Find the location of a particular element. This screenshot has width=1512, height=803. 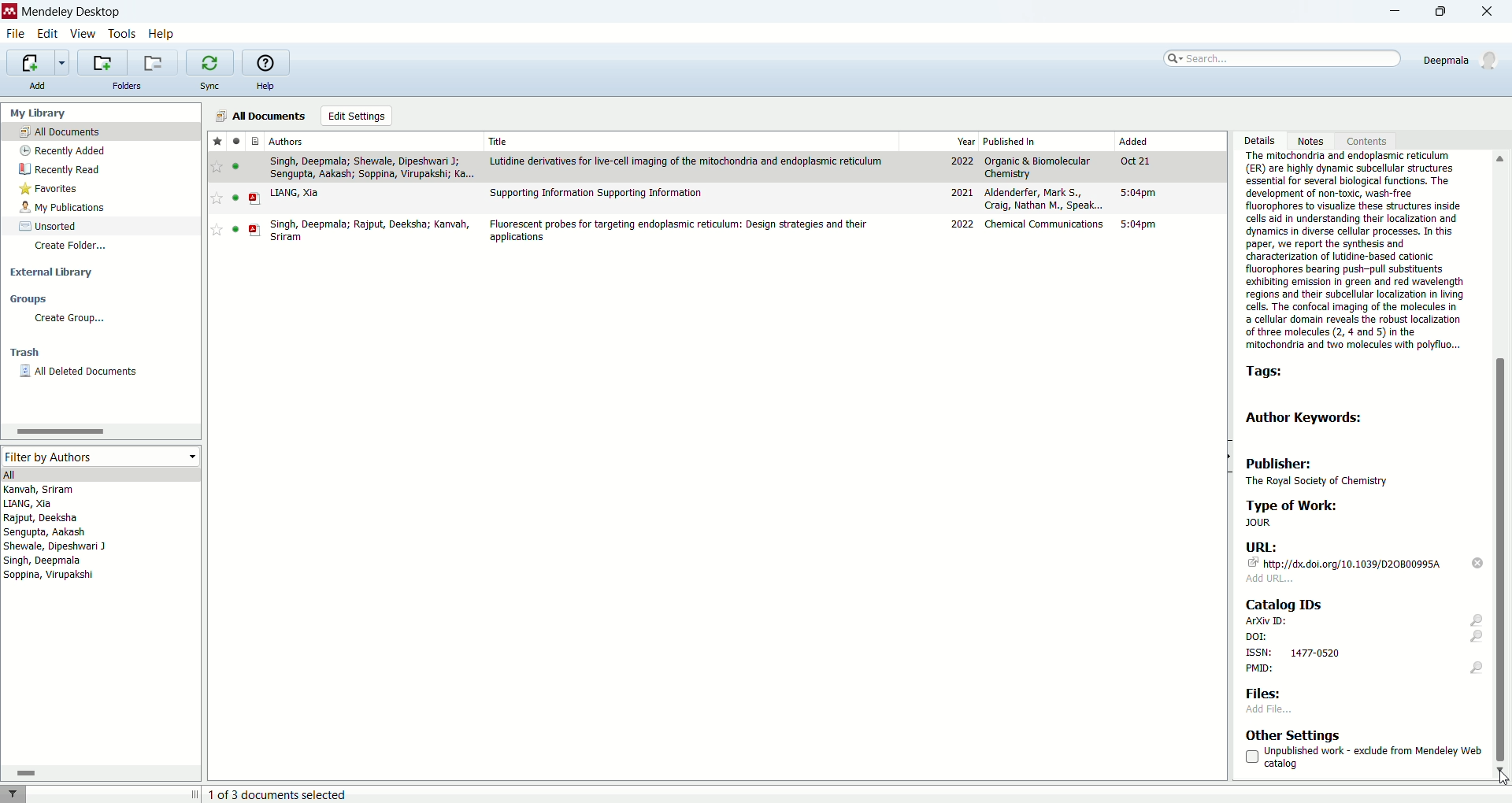

maximize is located at coordinates (1447, 11).